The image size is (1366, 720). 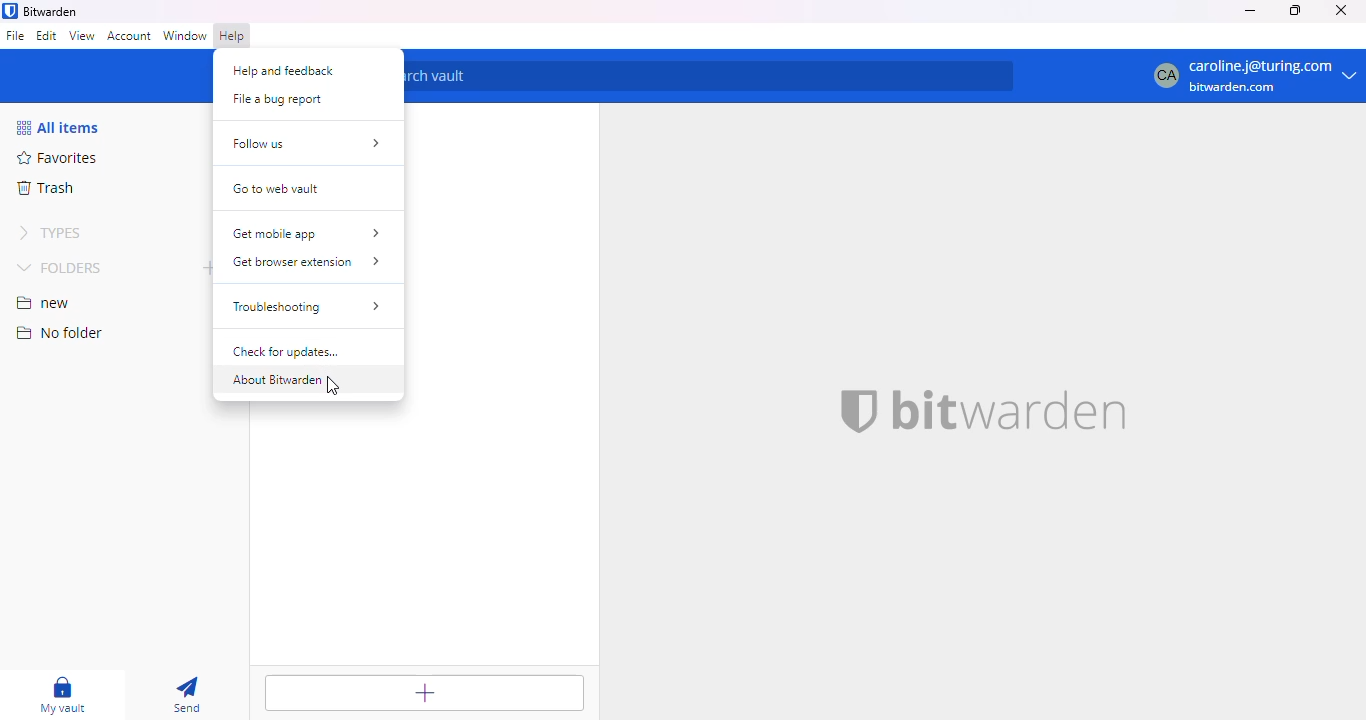 I want to click on Help and feedback, so click(x=285, y=69).